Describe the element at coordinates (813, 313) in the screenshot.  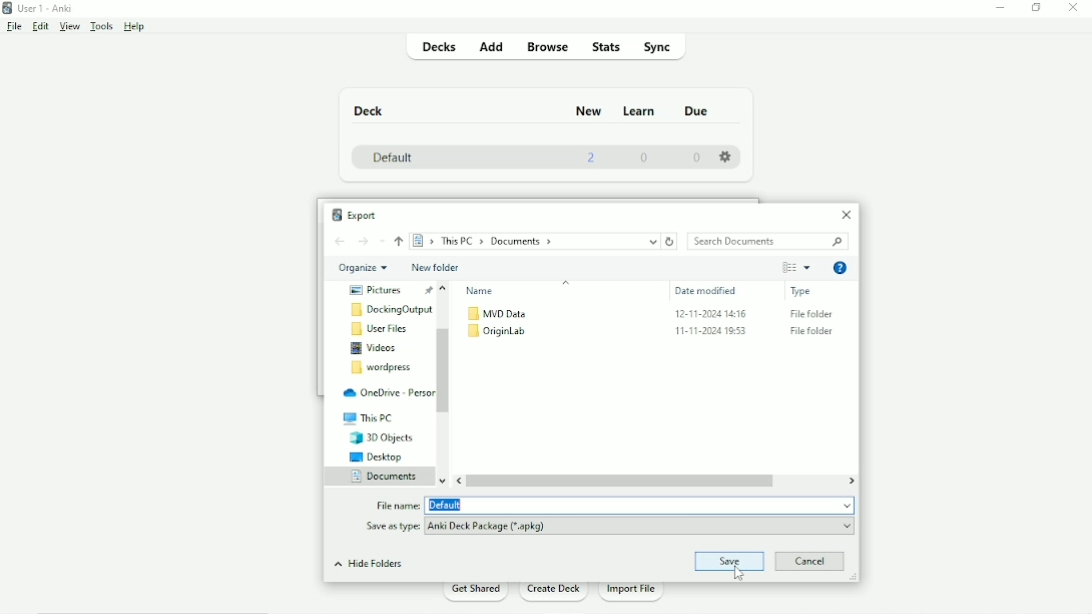
I see `File Folder` at that location.